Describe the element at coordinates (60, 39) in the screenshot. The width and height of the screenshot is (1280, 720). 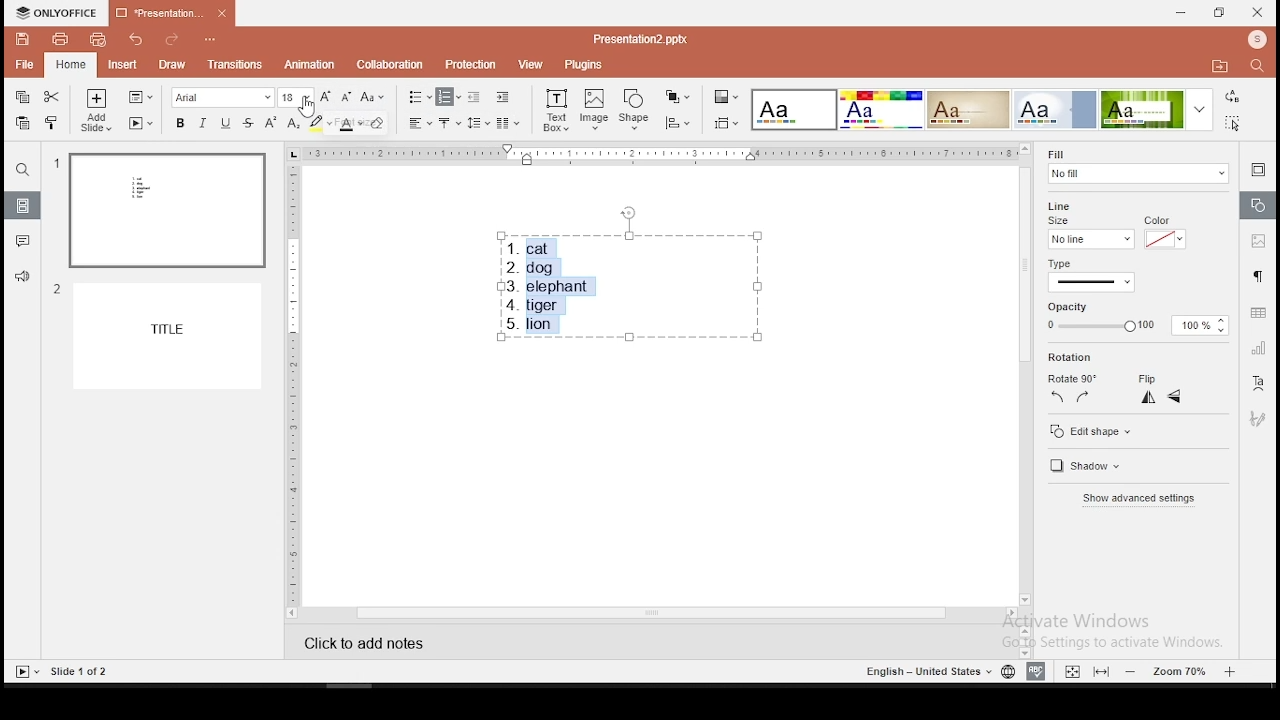
I see `print file` at that location.